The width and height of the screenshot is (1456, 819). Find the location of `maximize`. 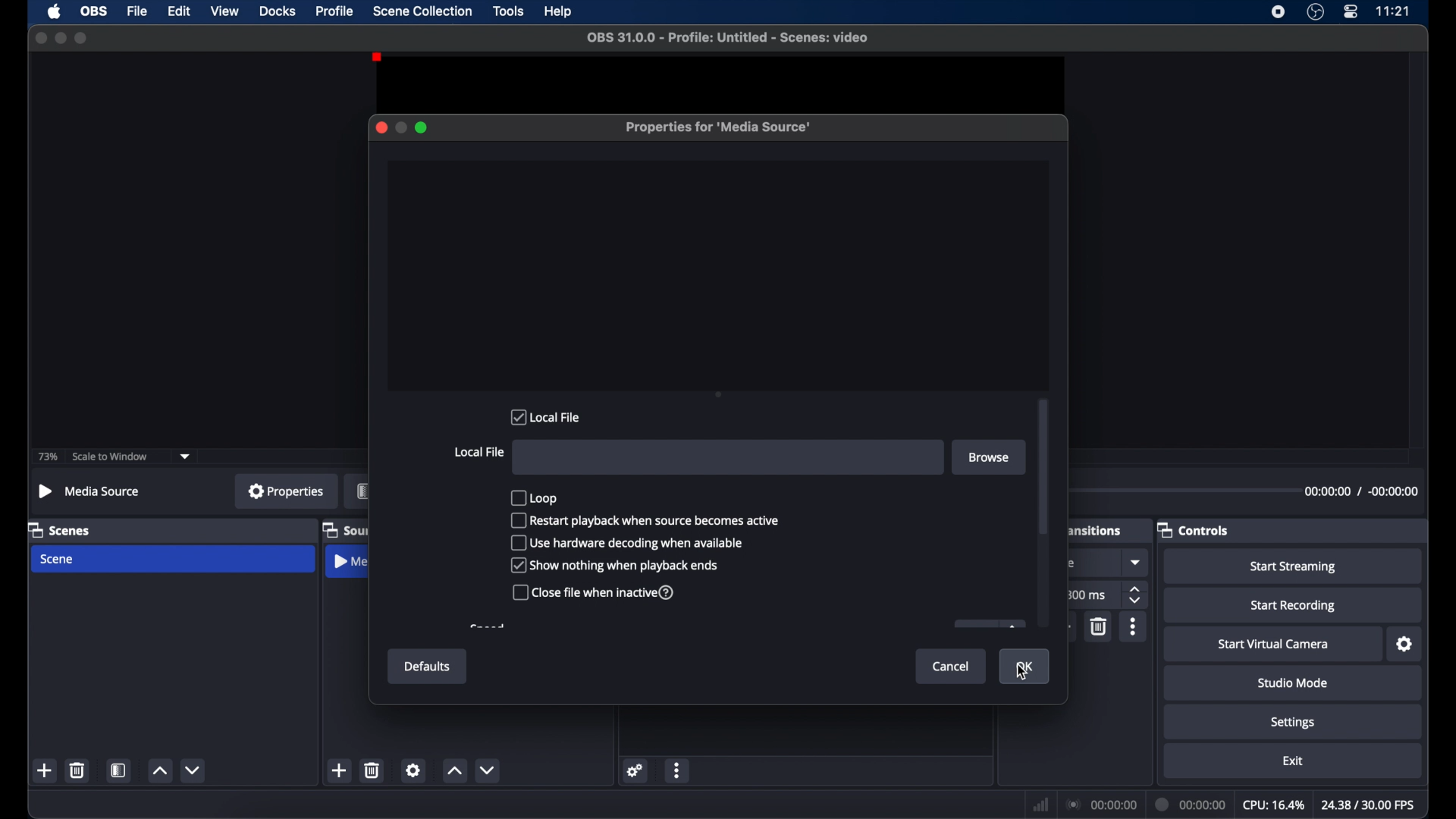

maximize is located at coordinates (83, 39).